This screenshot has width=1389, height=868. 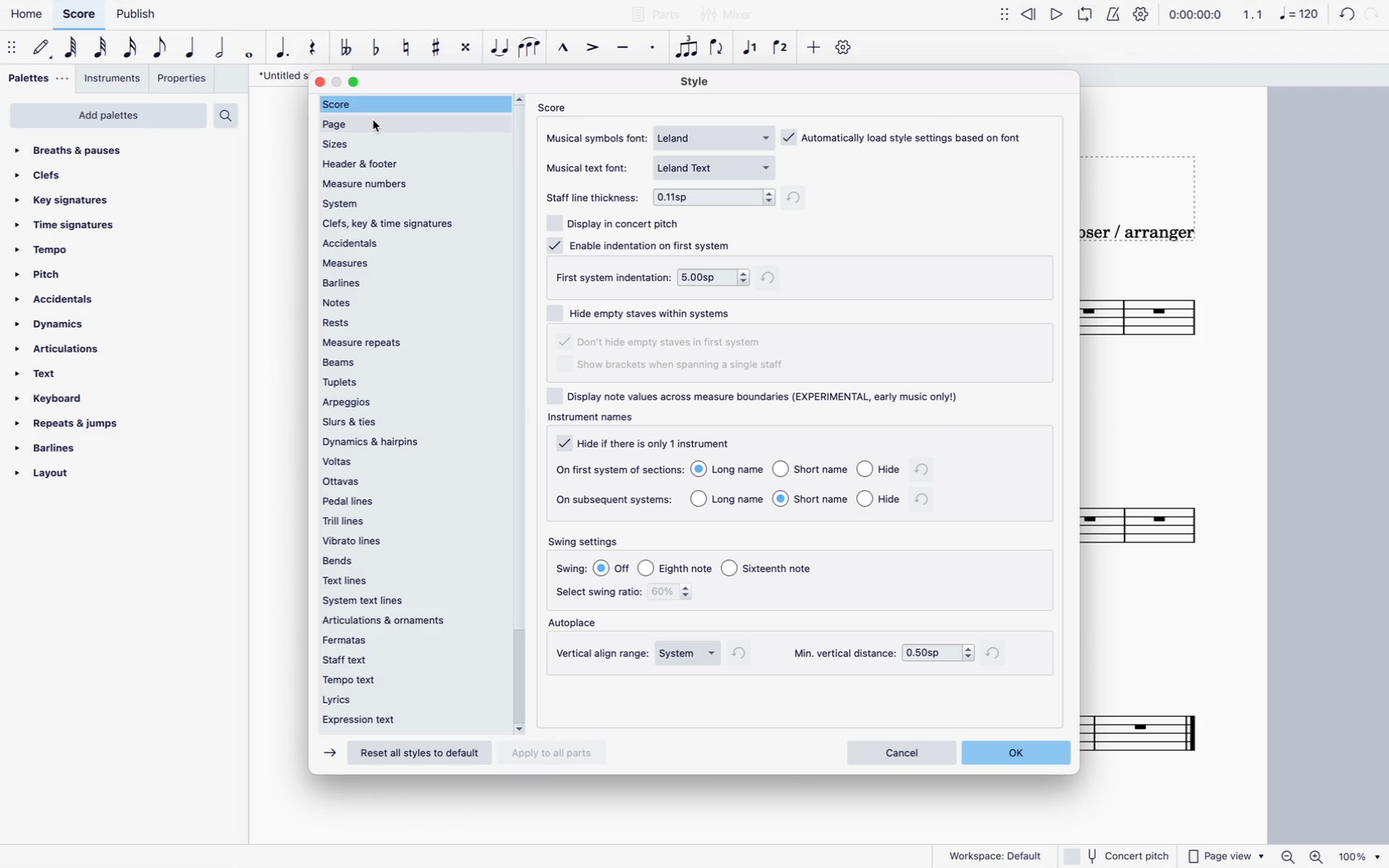 What do you see at coordinates (46, 475) in the screenshot?
I see `layout` at bounding box center [46, 475].